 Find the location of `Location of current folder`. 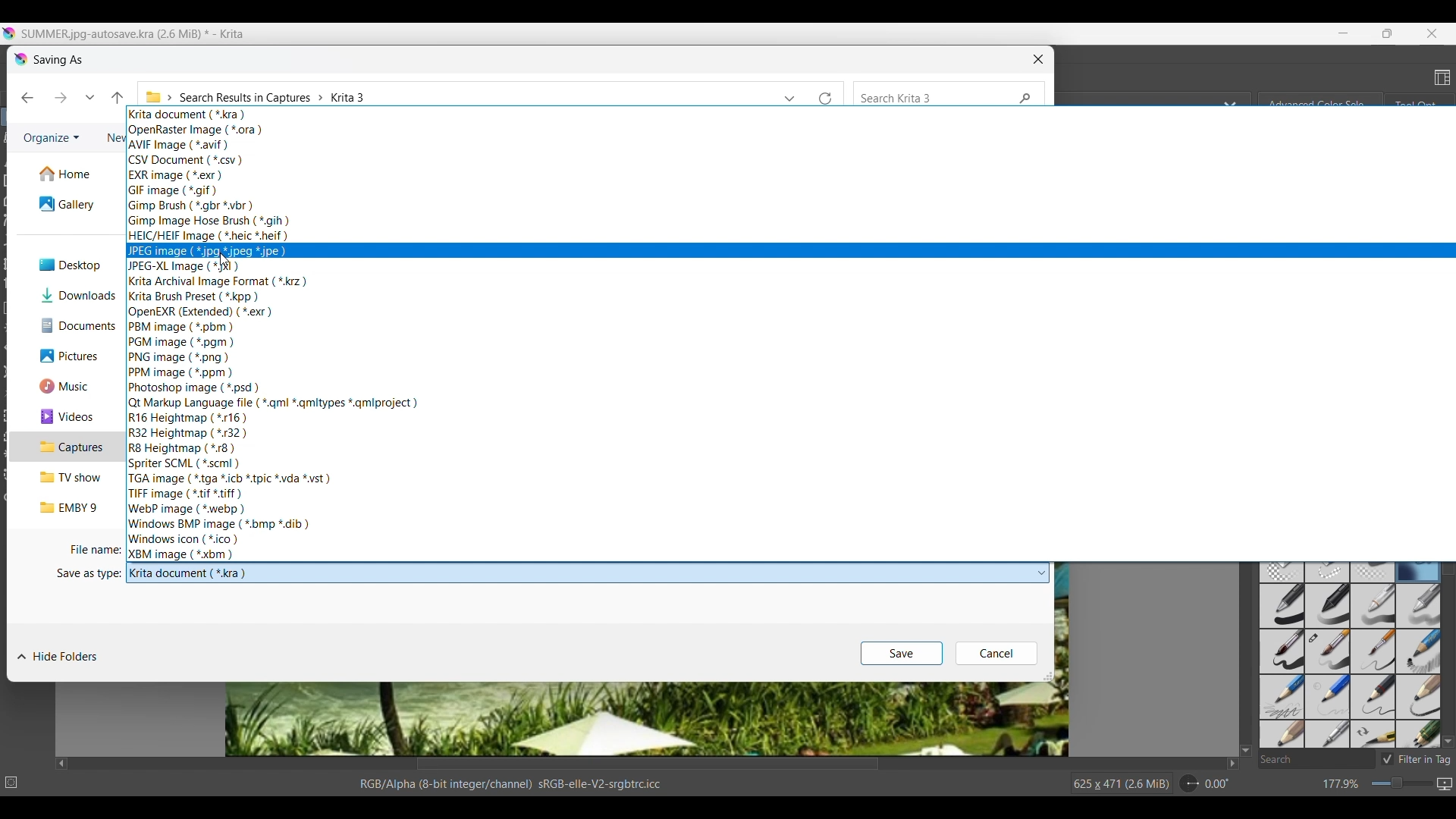

Location of current folder is located at coordinates (458, 94).